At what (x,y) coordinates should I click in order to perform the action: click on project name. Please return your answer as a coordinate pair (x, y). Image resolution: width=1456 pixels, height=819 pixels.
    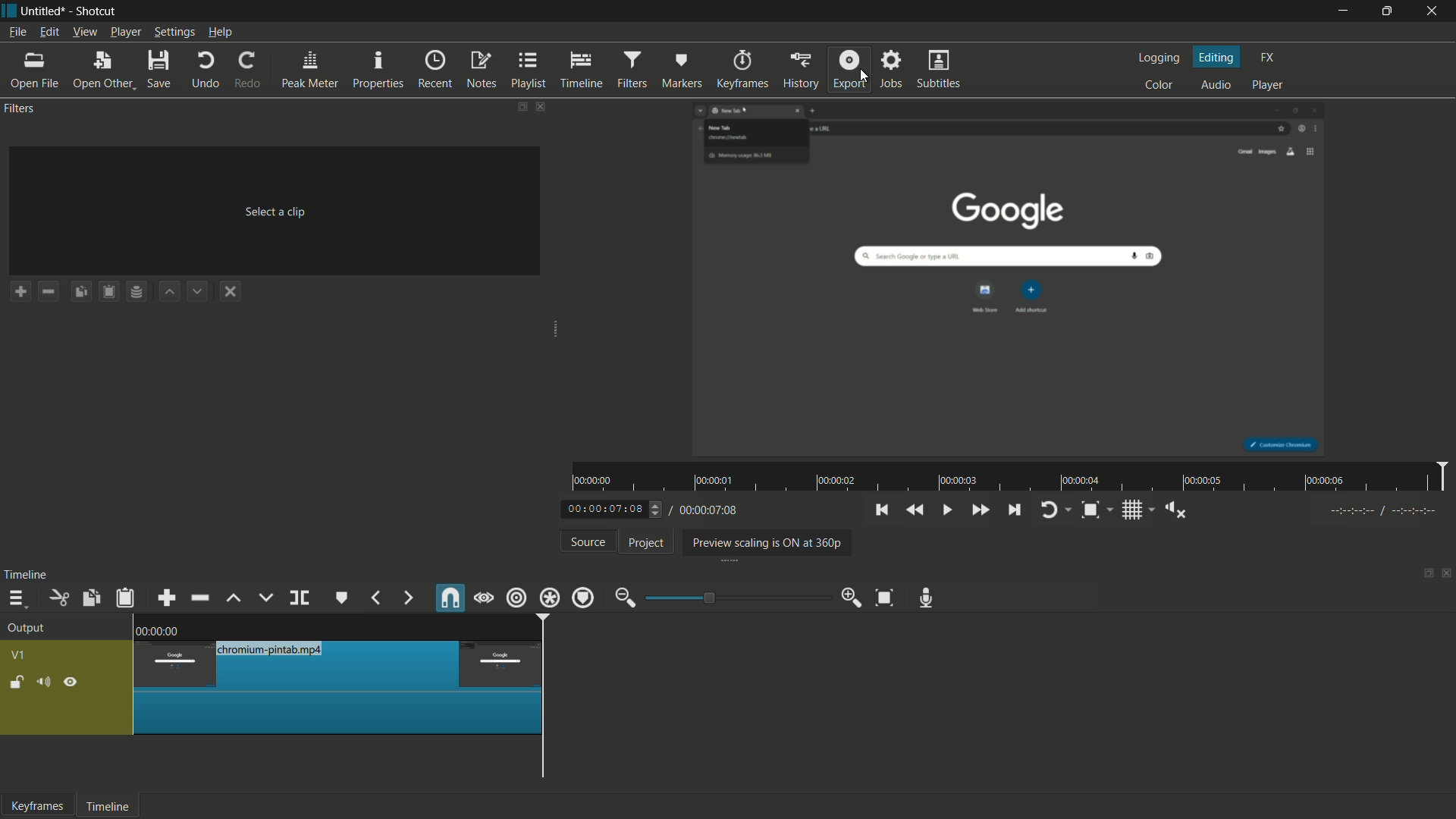
    Looking at the image, I should click on (41, 11).